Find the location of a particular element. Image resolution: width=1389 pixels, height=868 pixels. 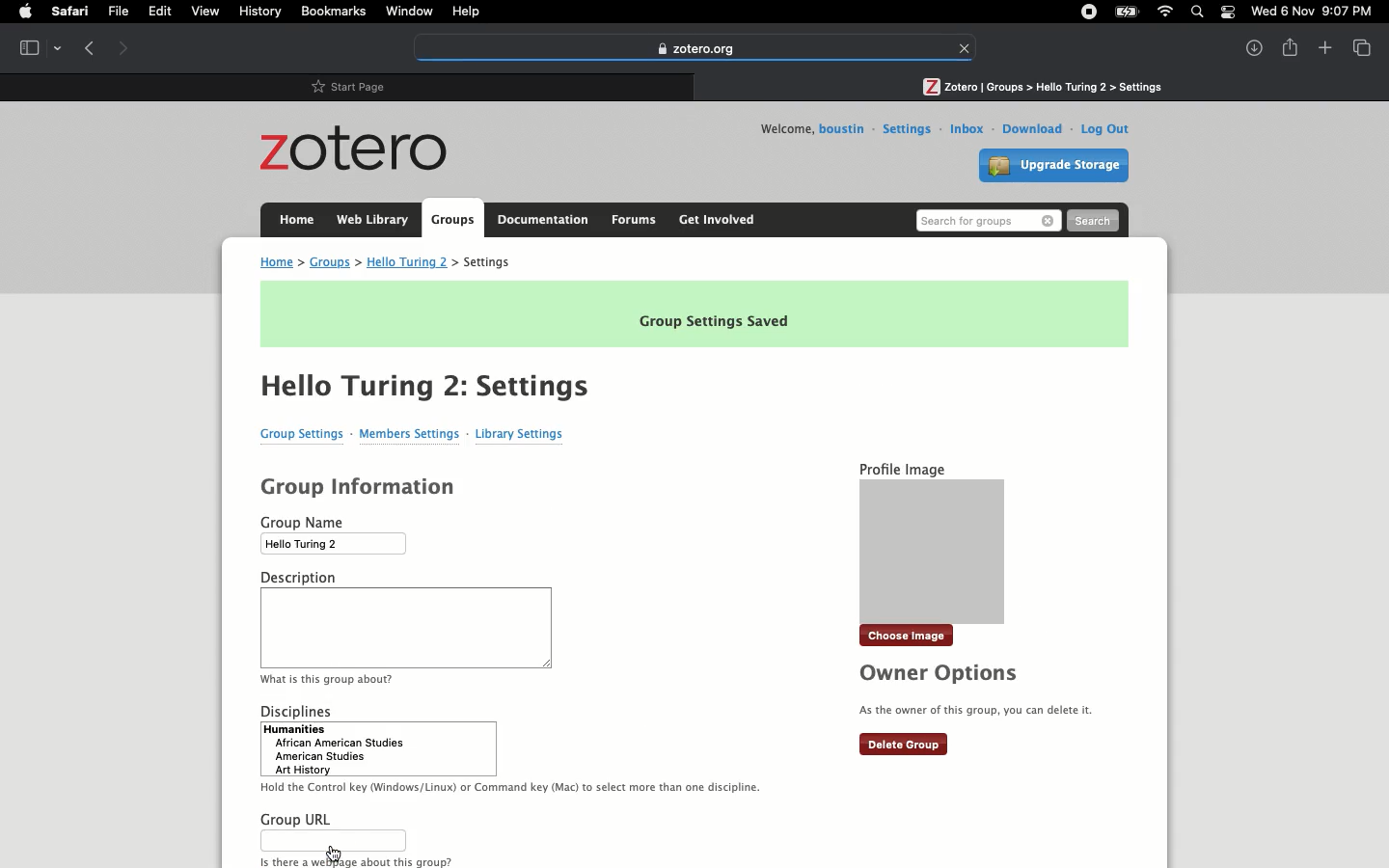

Username is located at coordinates (844, 129).